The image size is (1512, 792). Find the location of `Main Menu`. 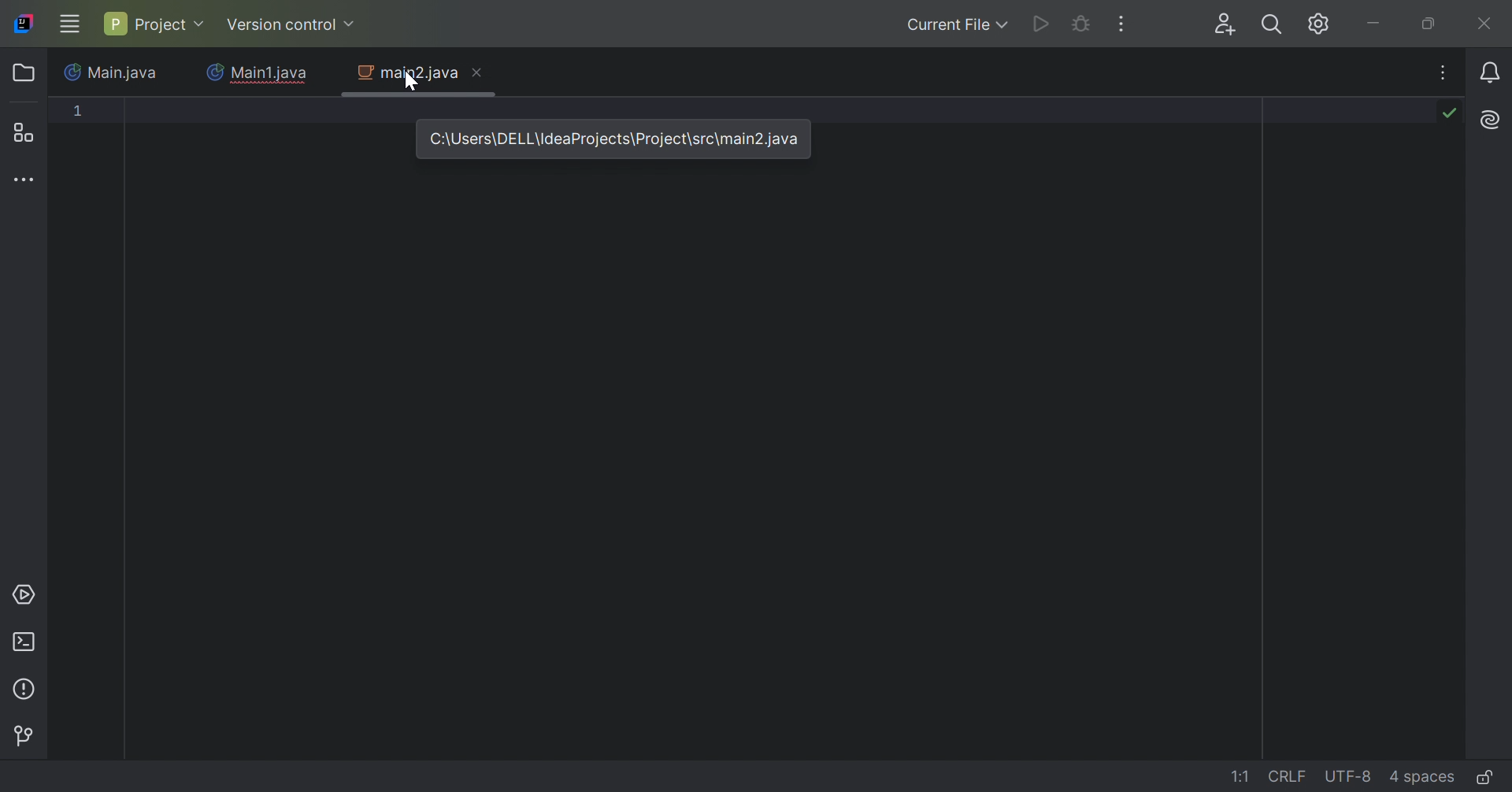

Main Menu is located at coordinates (69, 24).